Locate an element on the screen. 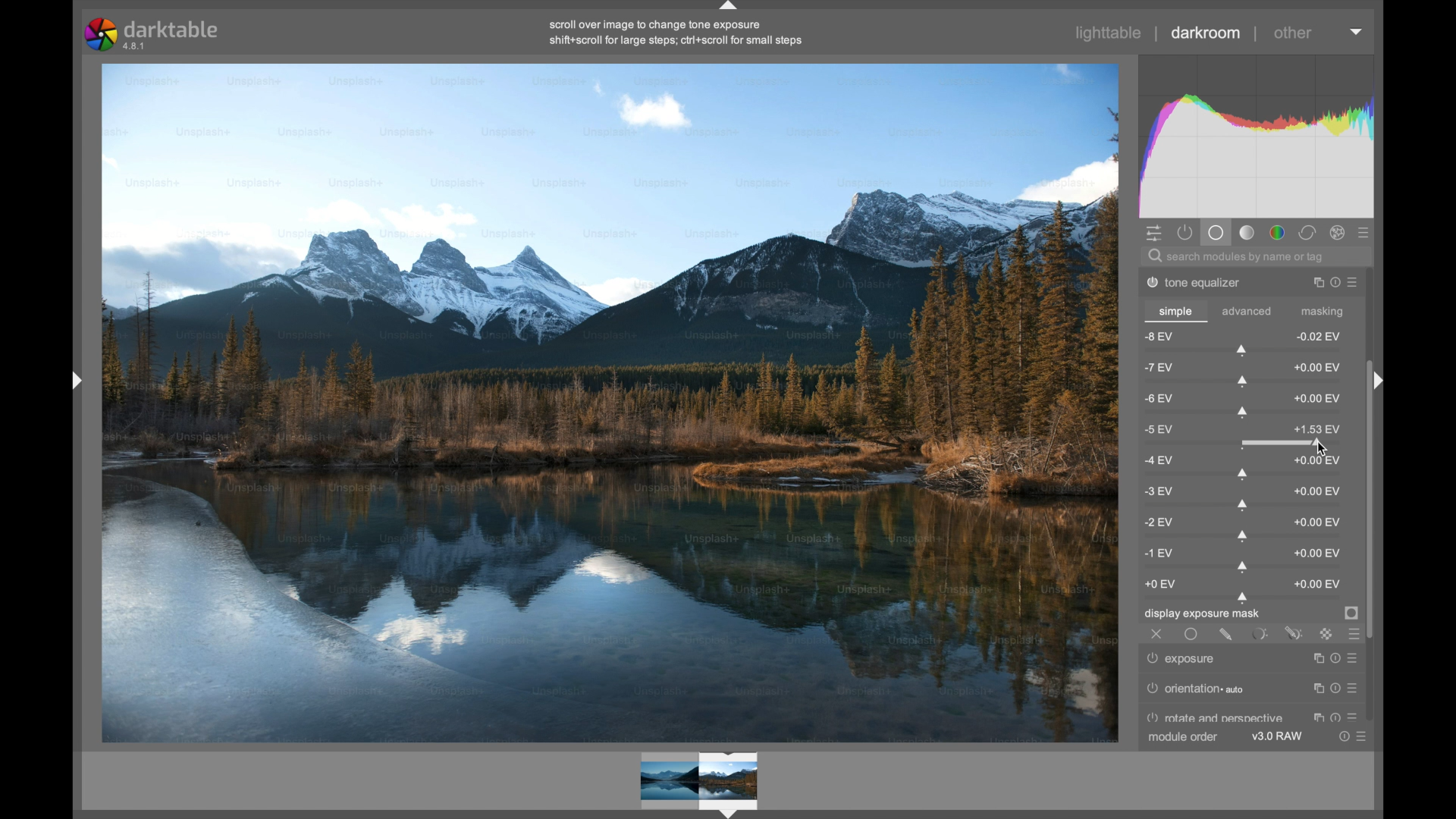 The height and width of the screenshot is (819, 1456). presets is located at coordinates (1367, 737).